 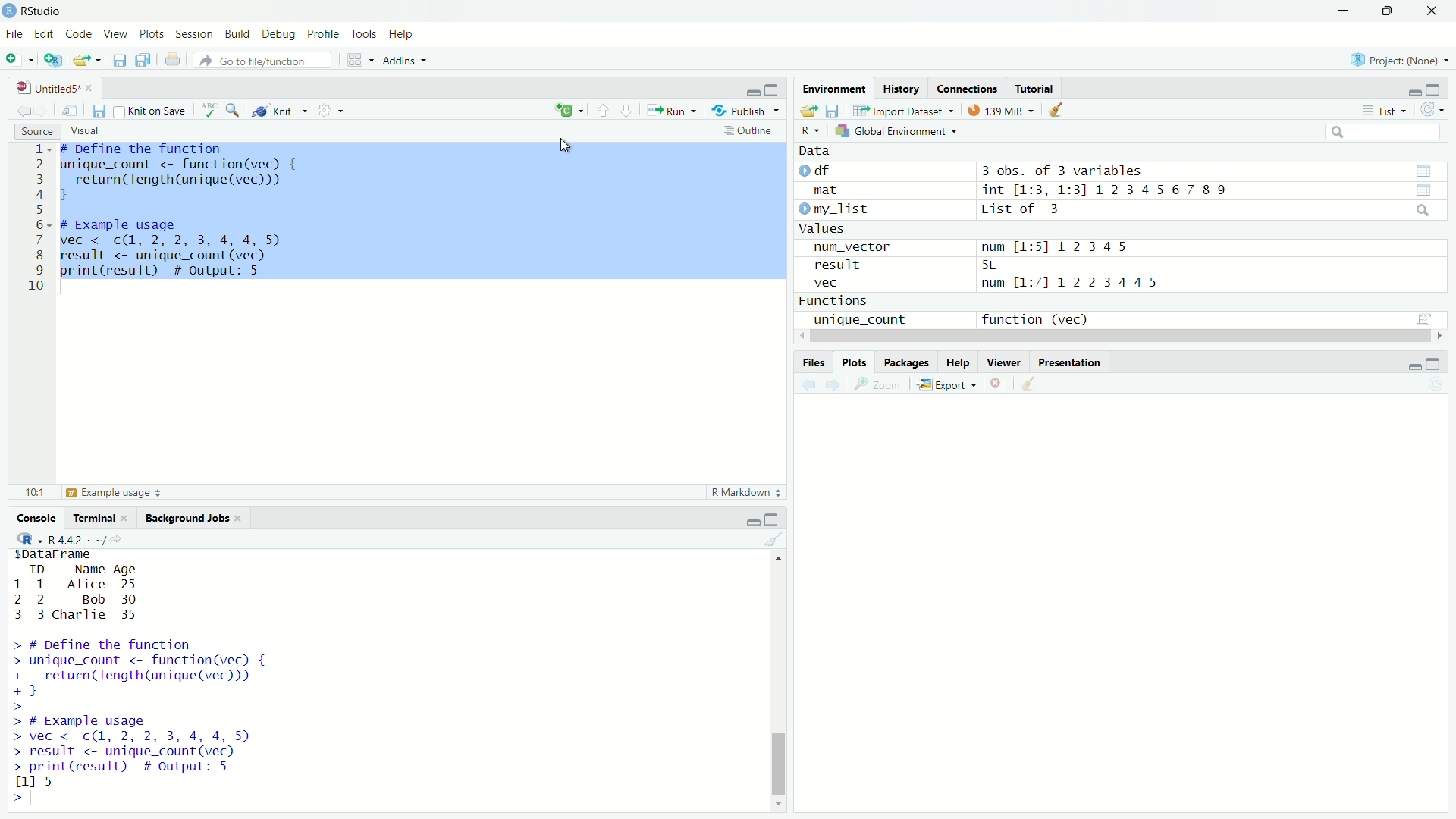 I want to click on check spelling, so click(x=211, y=111).